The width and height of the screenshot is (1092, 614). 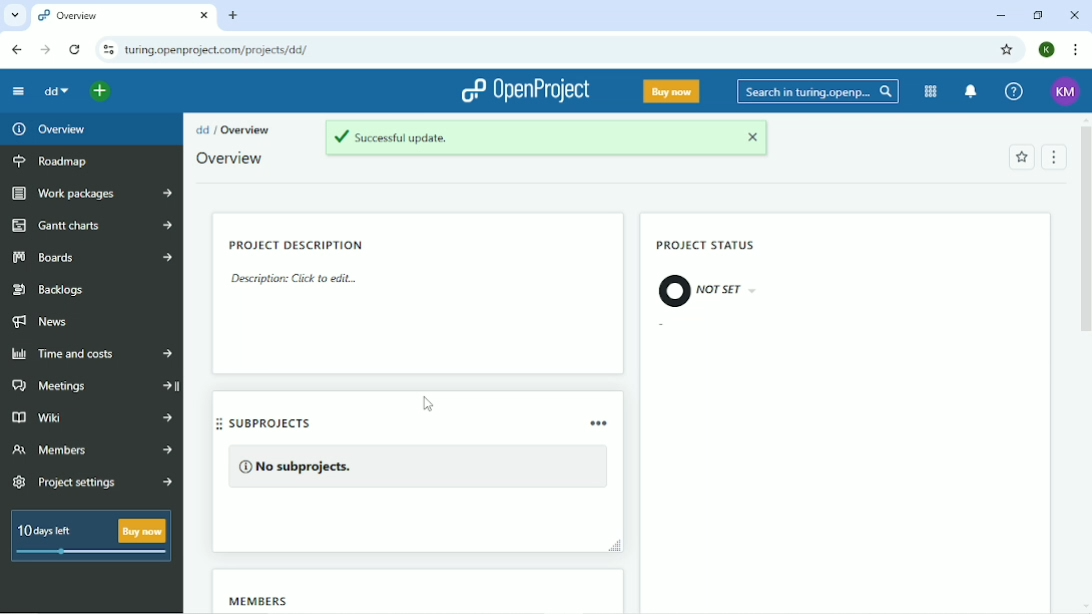 I want to click on Back, so click(x=18, y=49).